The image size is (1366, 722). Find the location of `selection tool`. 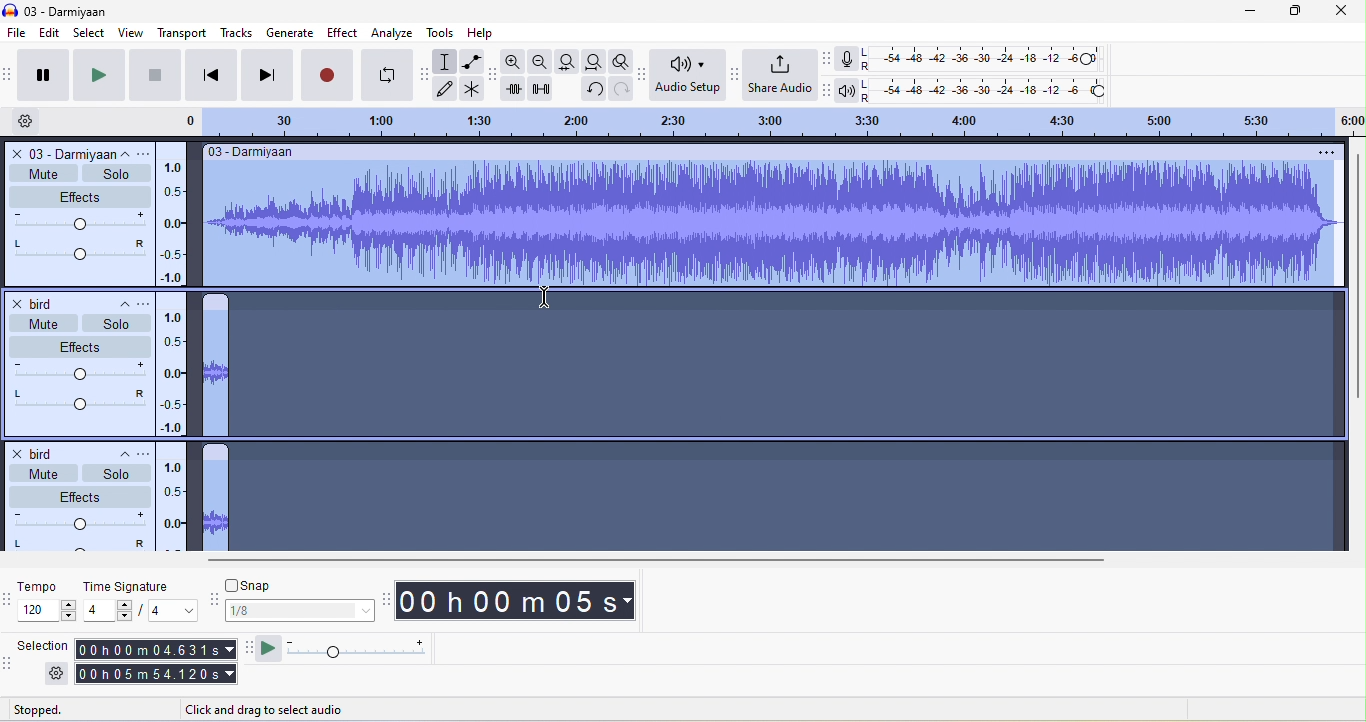

selection tool is located at coordinates (448, 59).